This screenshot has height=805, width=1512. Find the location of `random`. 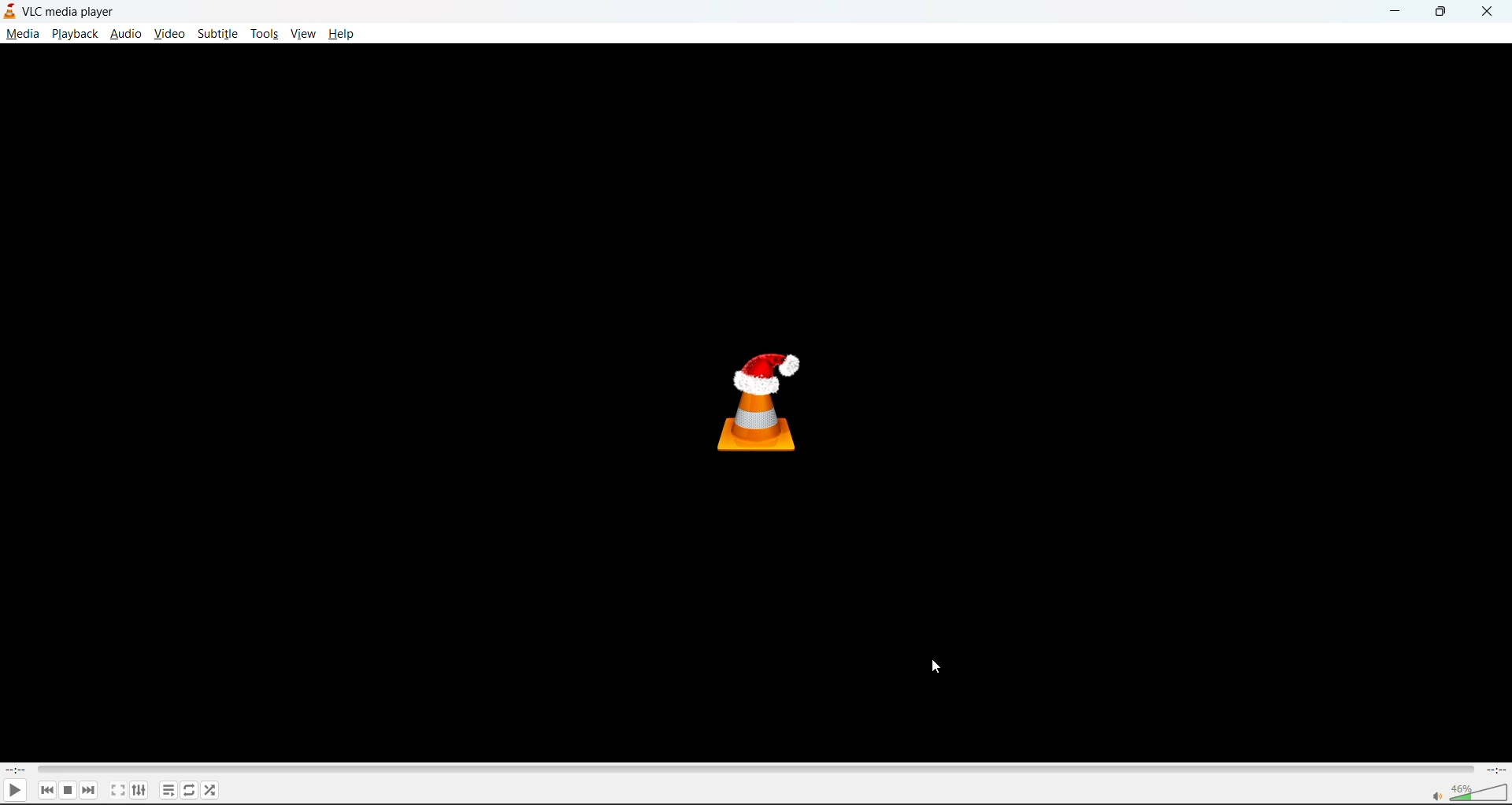

random is located at coordinates (212, 792).